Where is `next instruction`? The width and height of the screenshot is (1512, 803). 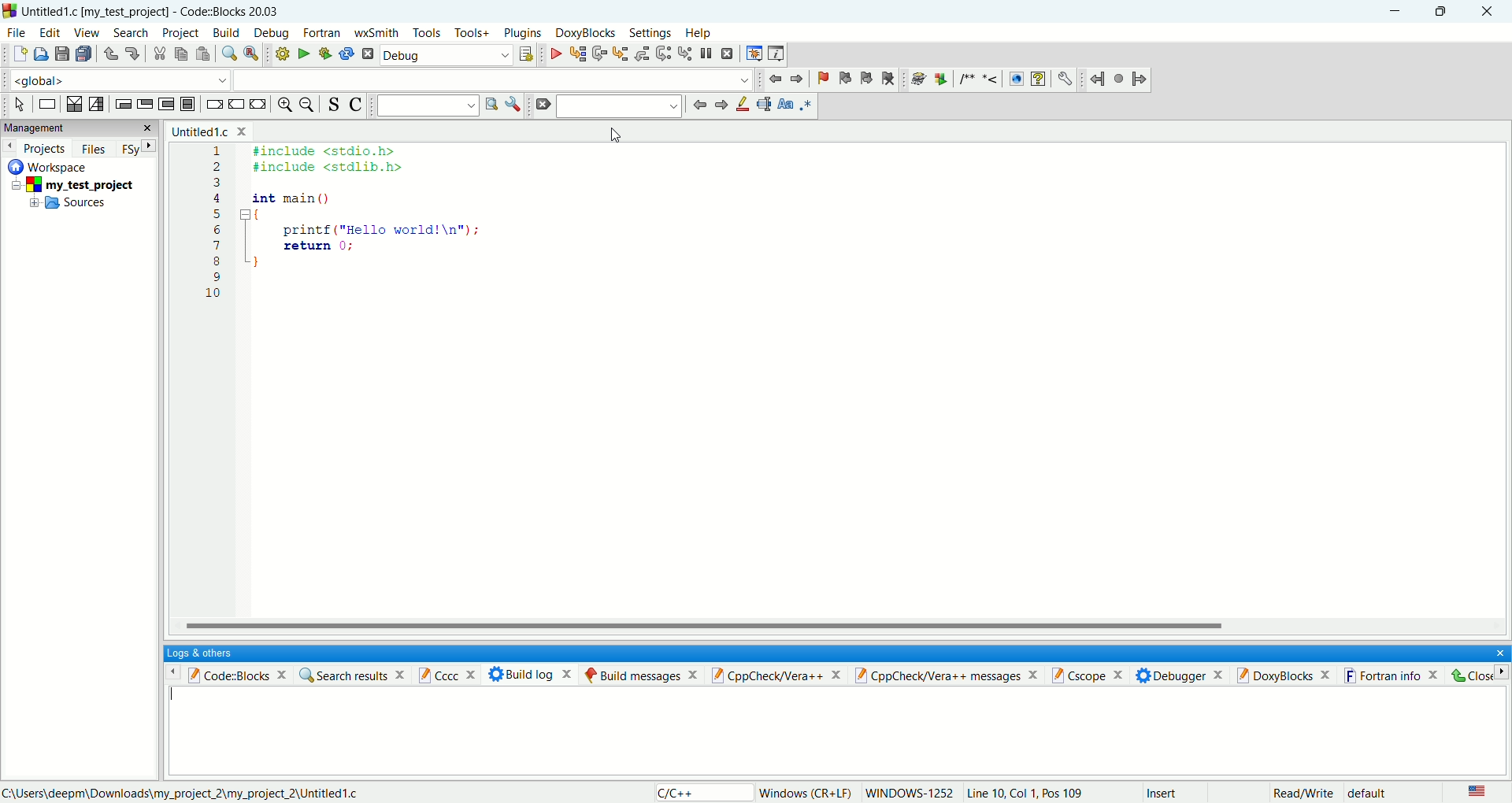 next instruction is located at coordinates (664, 53).